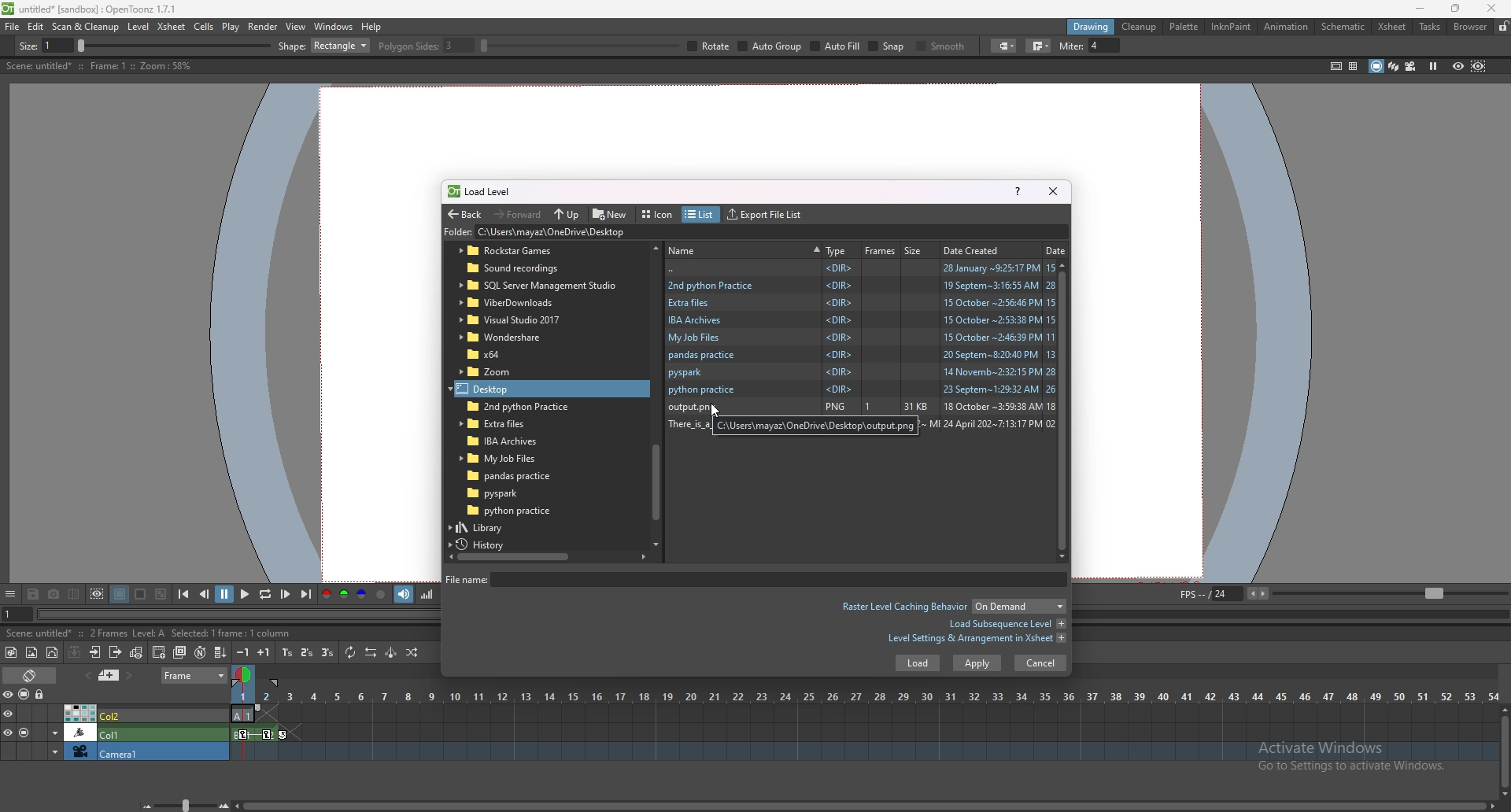 The height and width of the screenshot is (812, 1511). I want to click on close, so click(1051, 190).